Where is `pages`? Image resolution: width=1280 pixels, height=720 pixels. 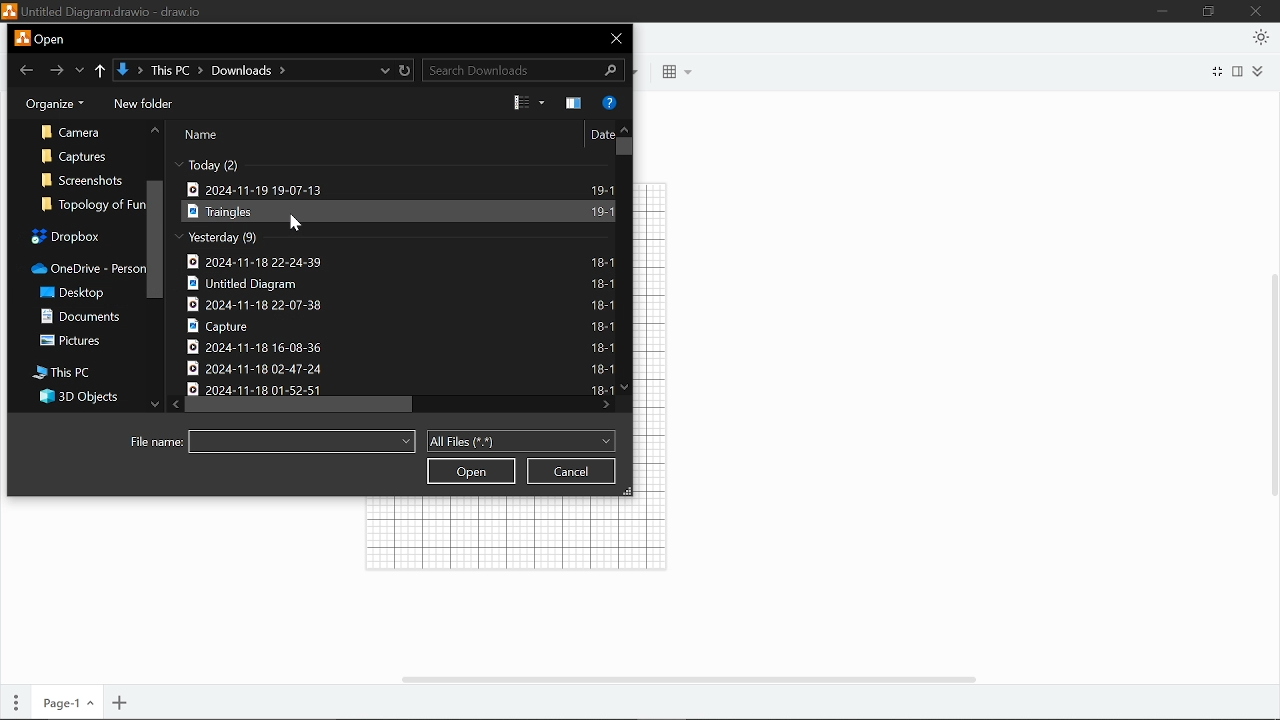 pages is located at coordinates (11, 704).